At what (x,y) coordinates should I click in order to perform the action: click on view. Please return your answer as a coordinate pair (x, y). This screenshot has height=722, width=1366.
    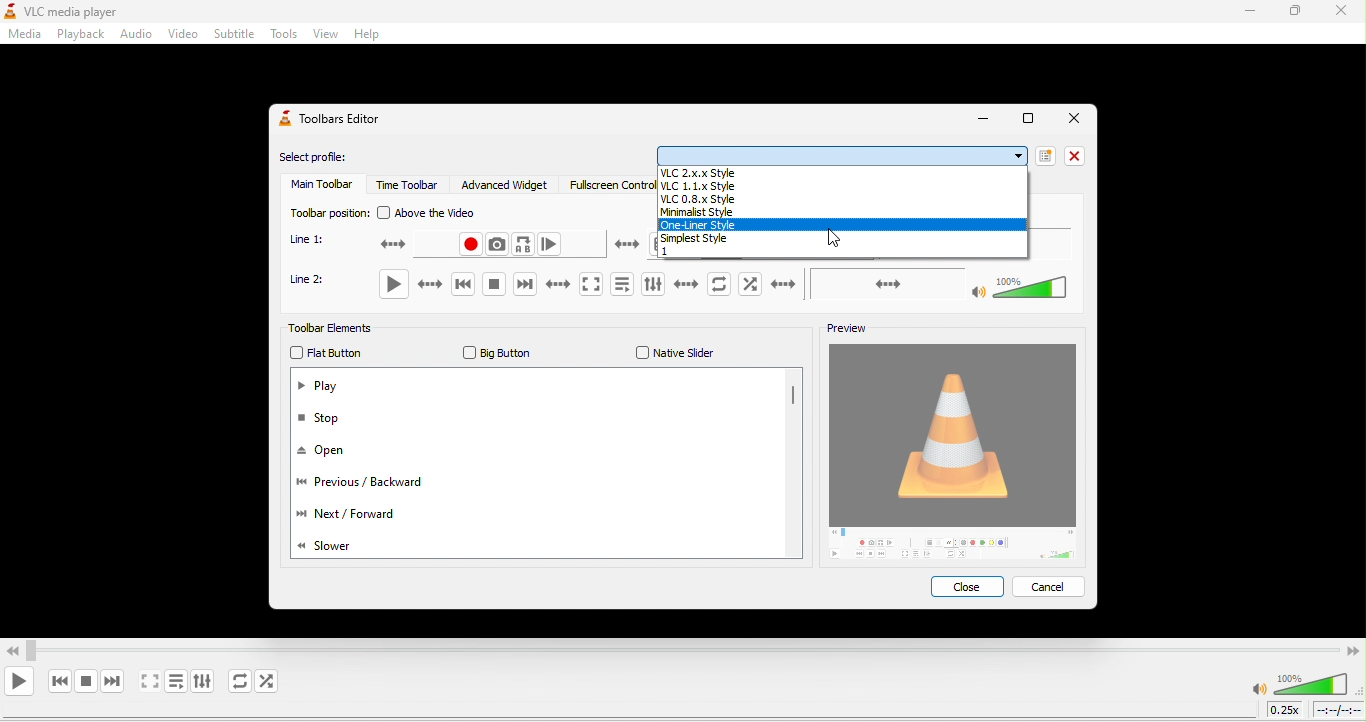
    Looking at the image, I should click on (324, 36).